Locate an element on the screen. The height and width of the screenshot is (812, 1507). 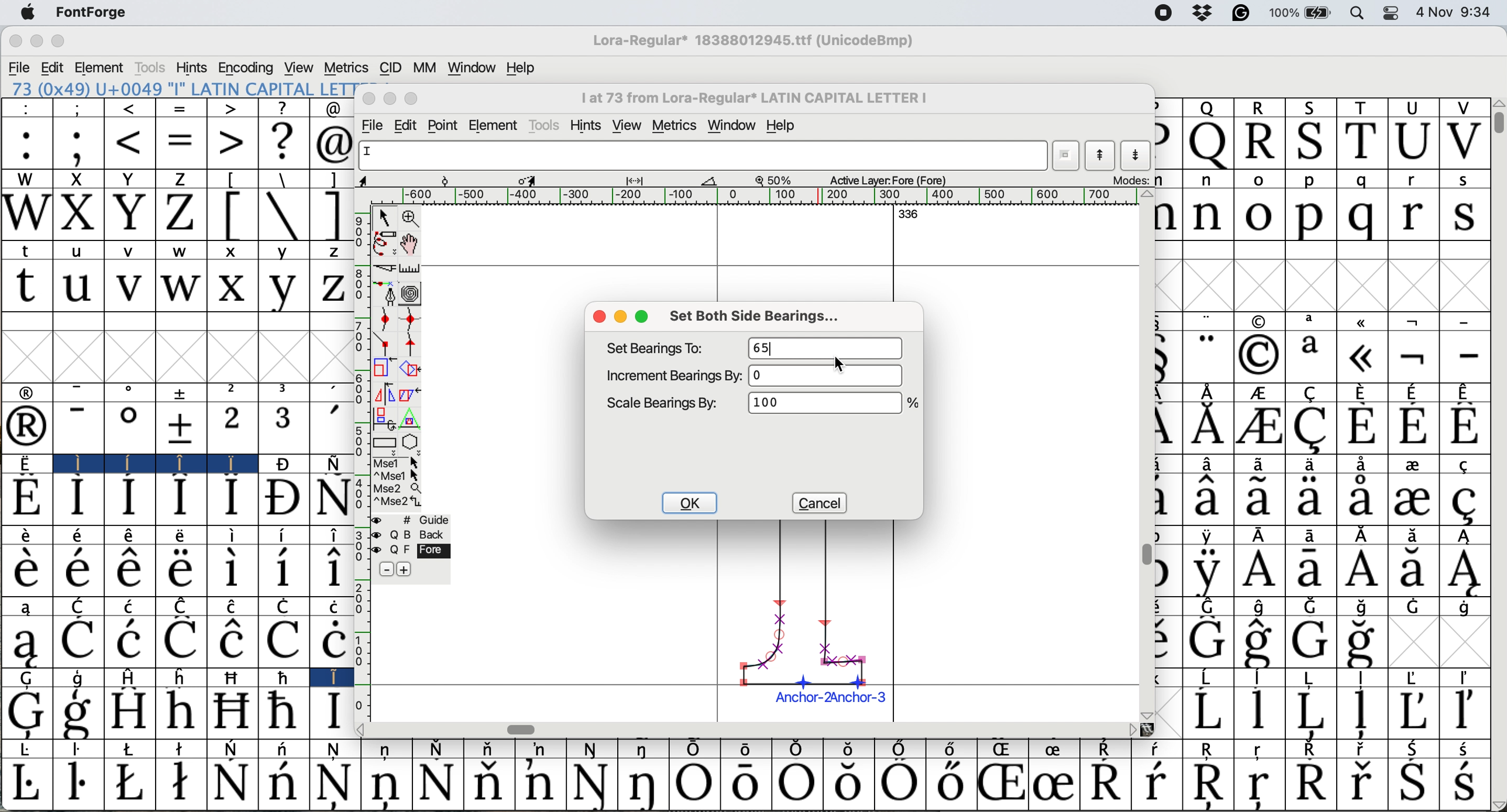
x is located at coordinates (234, 250).